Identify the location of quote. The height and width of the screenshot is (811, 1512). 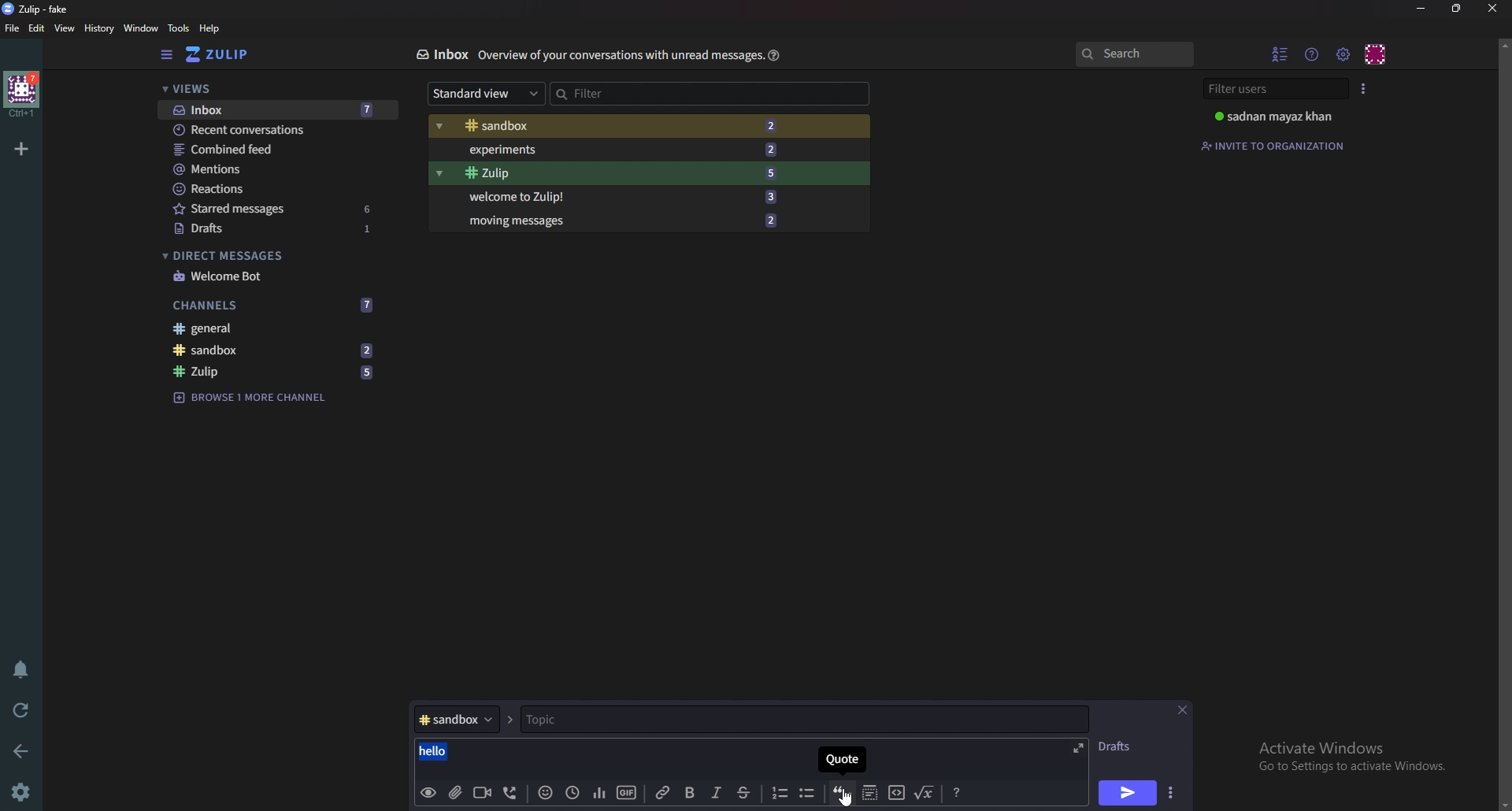
(843, 792).